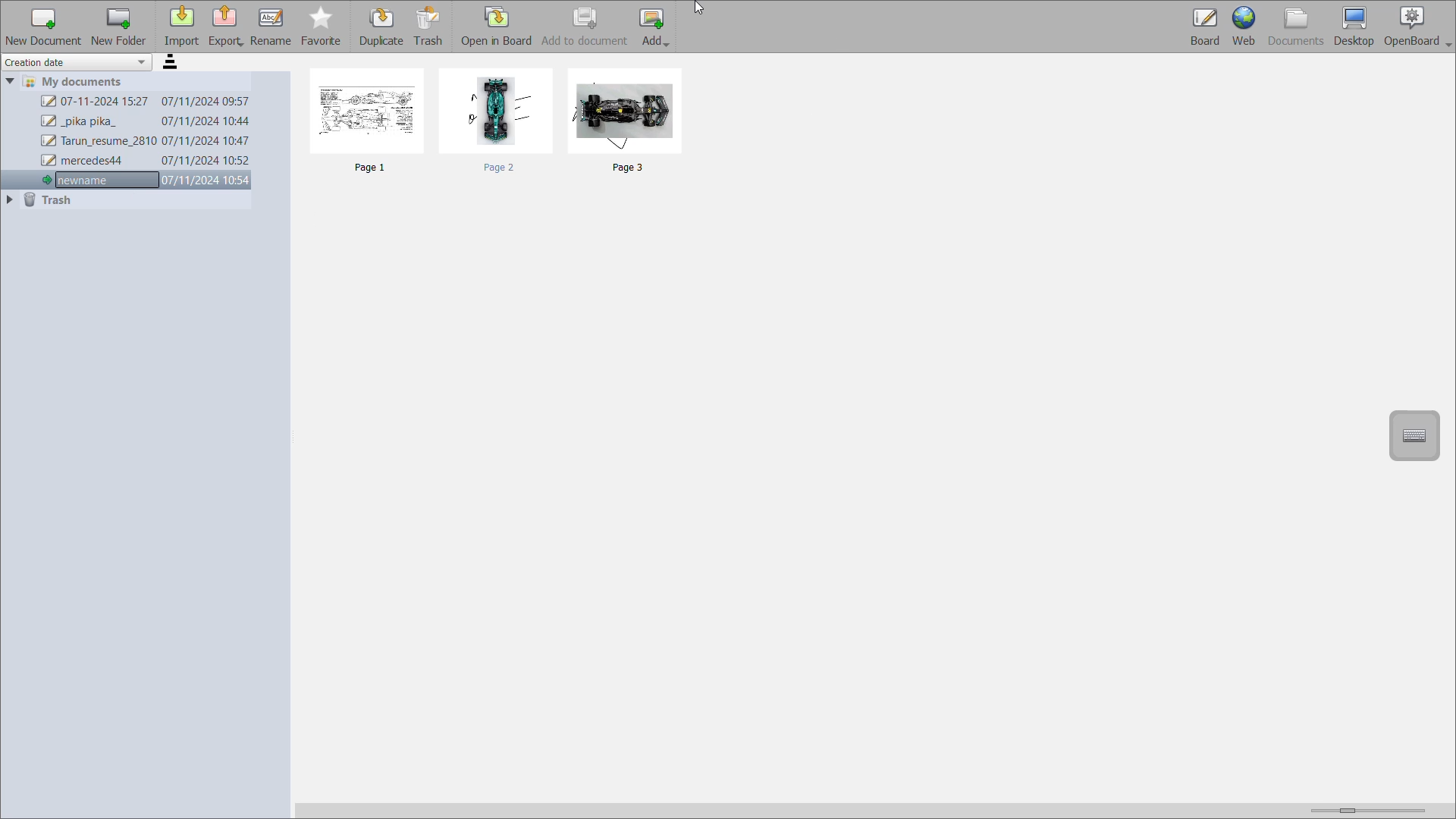 Image resolution: width=1456 pixels, height=819 pixels. What do you see at coordinates (1354, 24) in the screenshot?
I see `desktop` at bounding box center [1354, 24].